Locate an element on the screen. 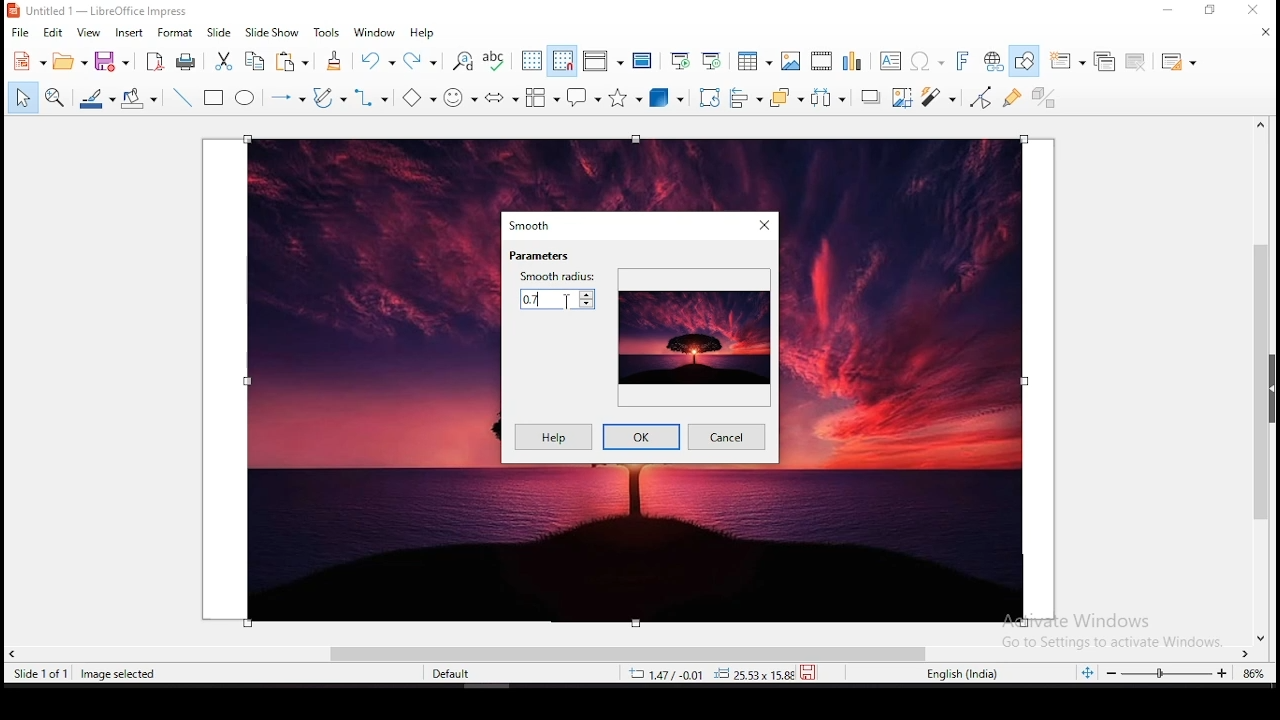 This screenshot has width=1280, height=720. start from first slide is located at coordinates (680, 59).